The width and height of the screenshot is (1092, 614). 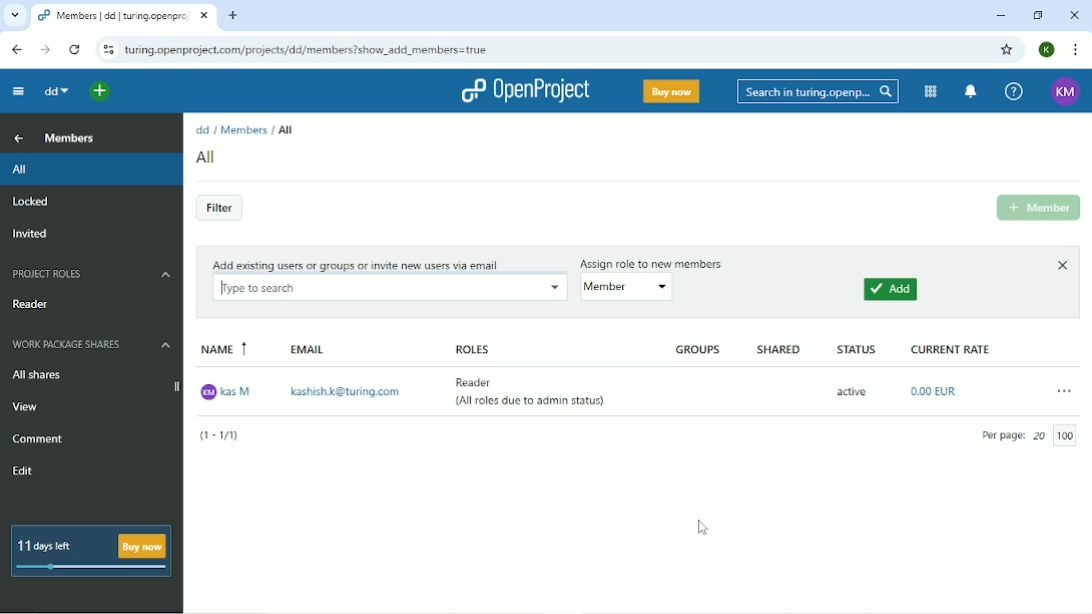 What do you see at coordinates (1074, 50) in the screenshot?
I see `Customize and control google chrome` at bounding box center [1074, 50].